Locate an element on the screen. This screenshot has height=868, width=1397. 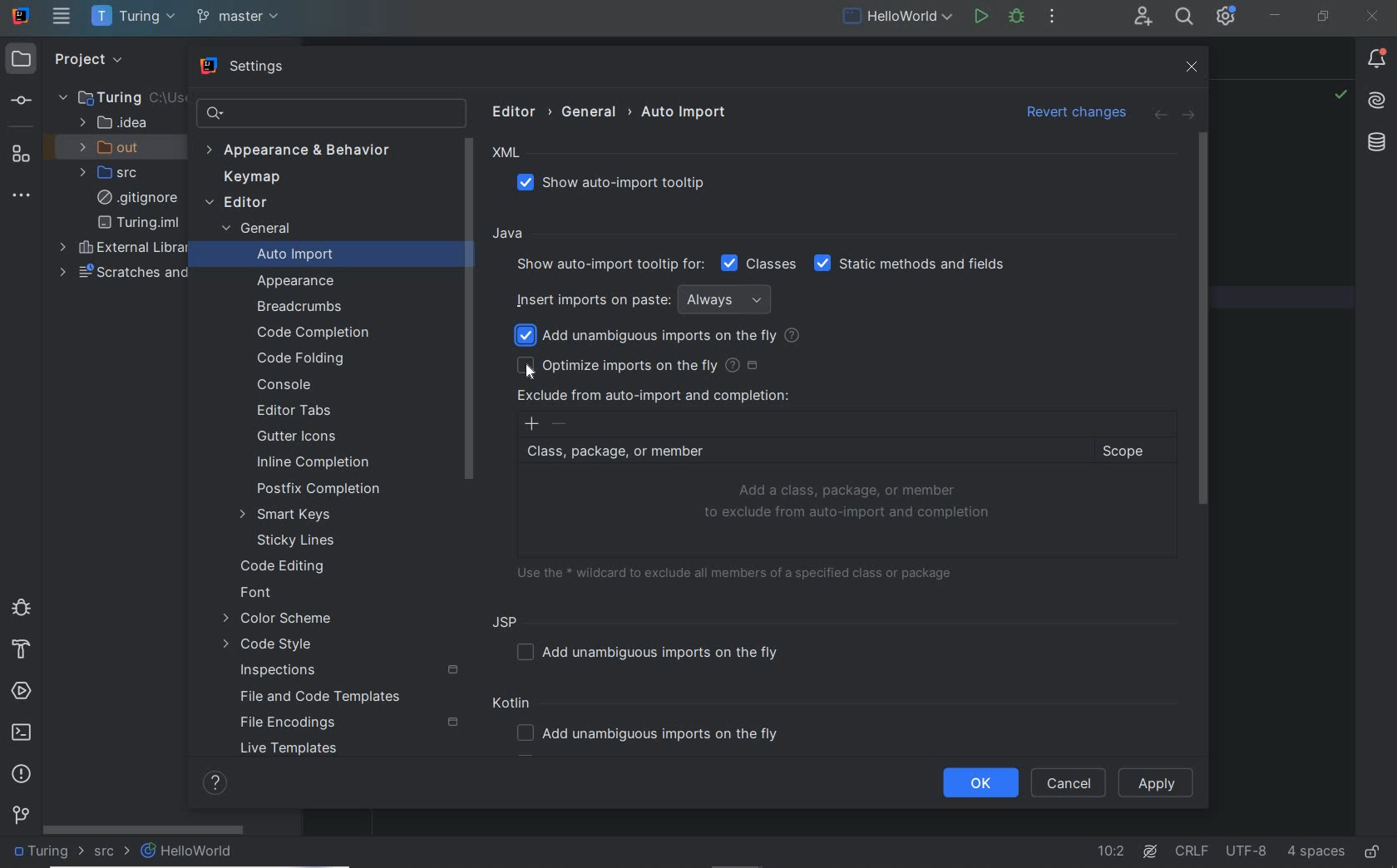
CODE FOLDING is located at coordinates (303, 359).